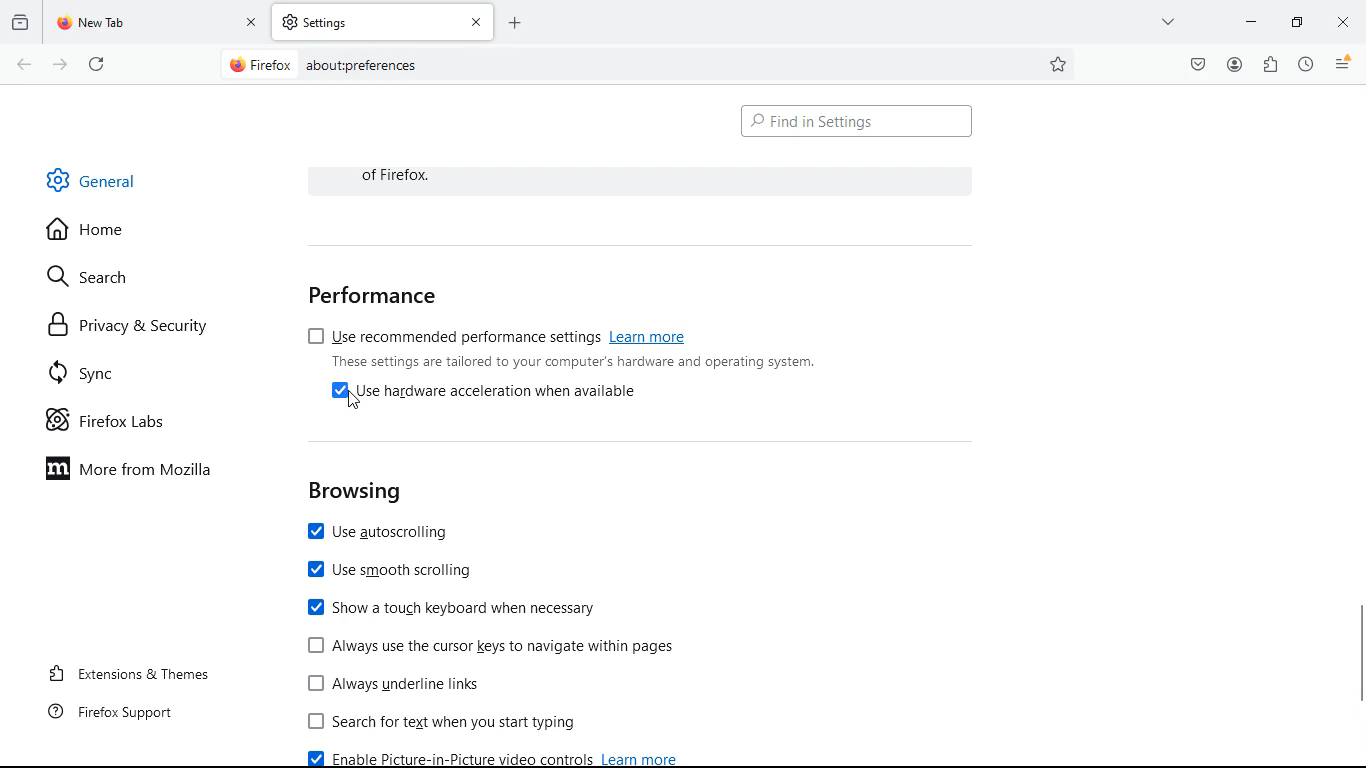  I want to click on general, so click(94, 178).